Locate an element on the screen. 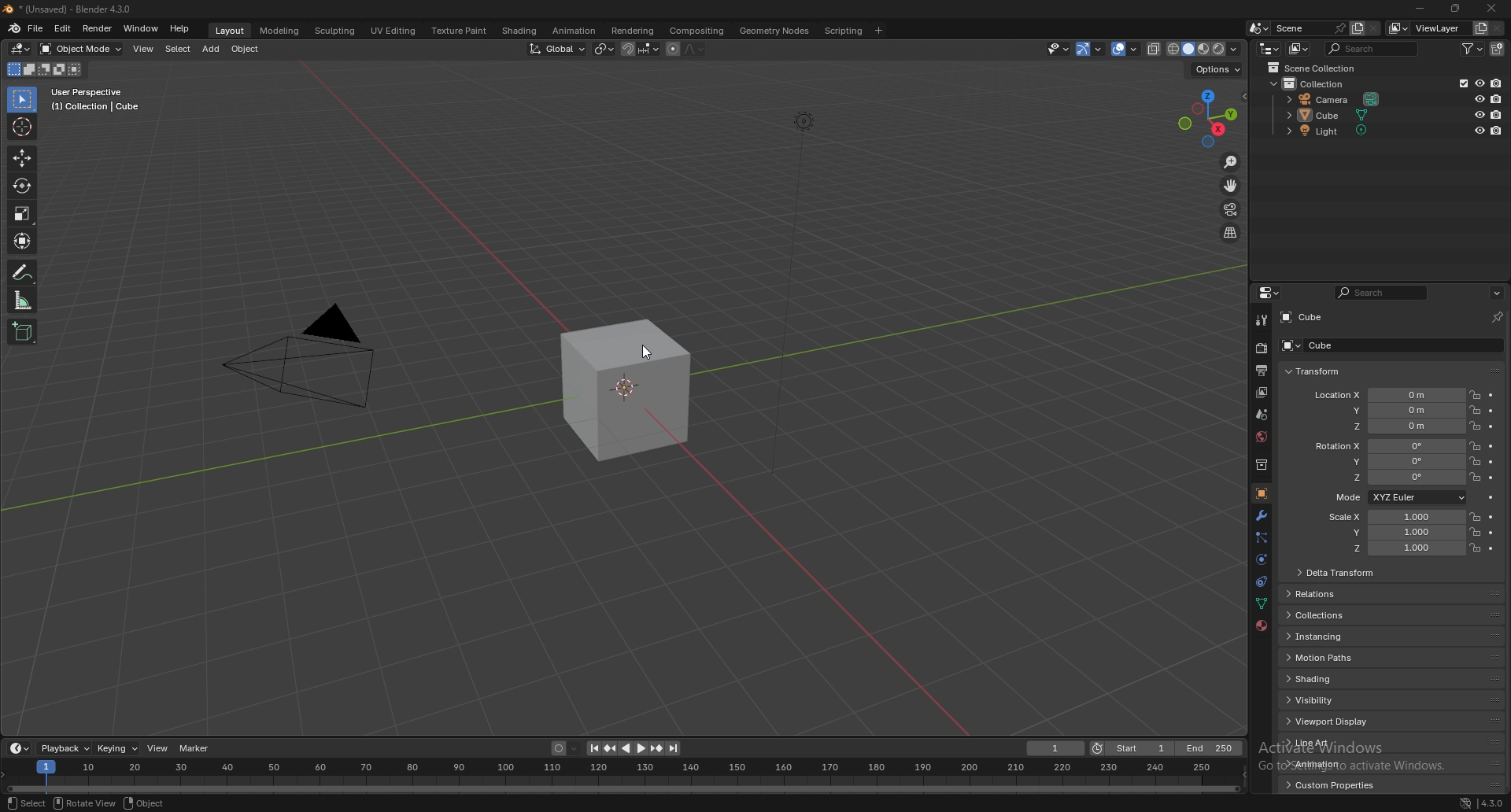 This screenshot has width=1511, height=812. cursor is located at coordinates (658, 354).